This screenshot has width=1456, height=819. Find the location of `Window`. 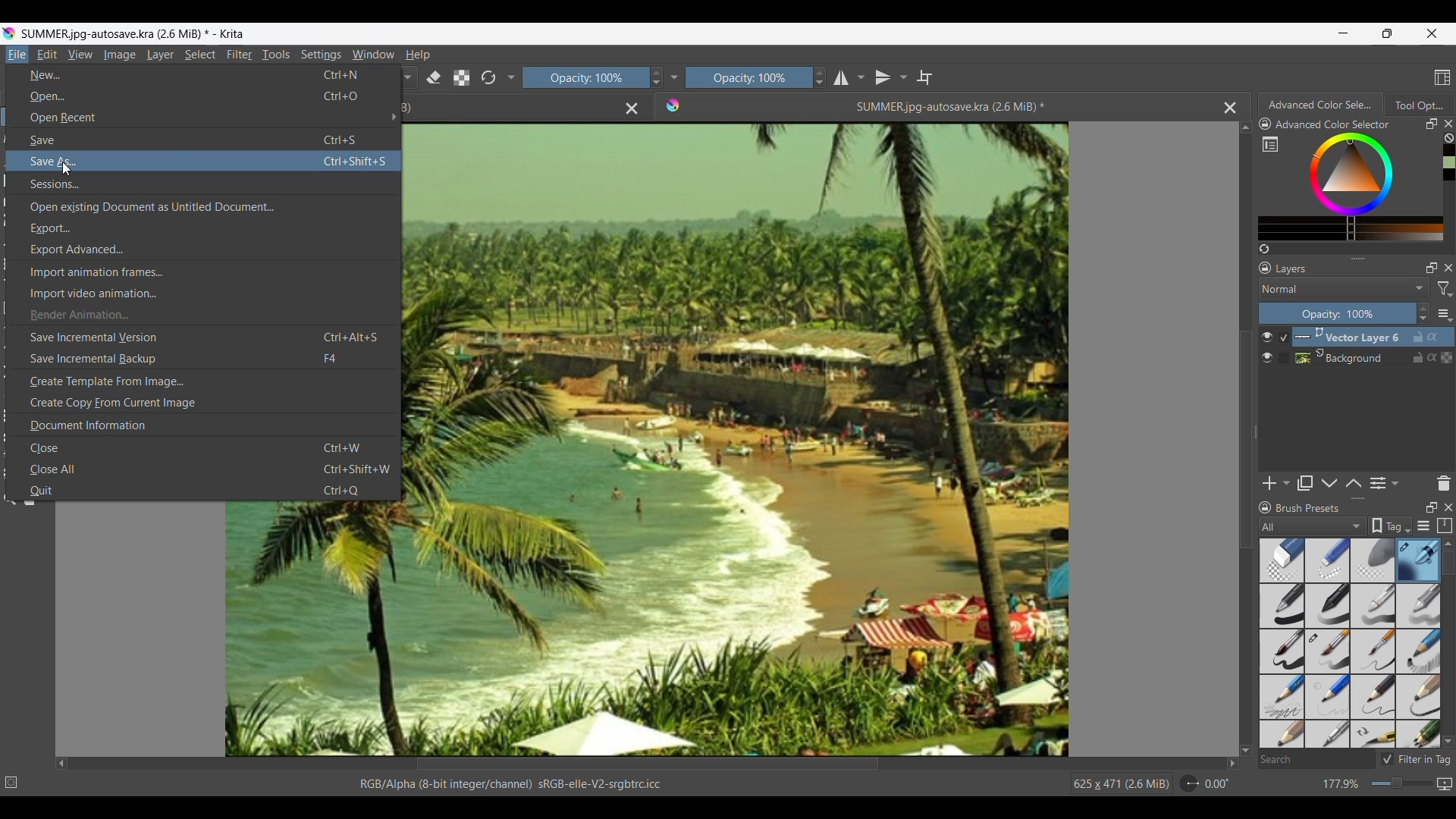

Window is located at coordinates (373, 54).